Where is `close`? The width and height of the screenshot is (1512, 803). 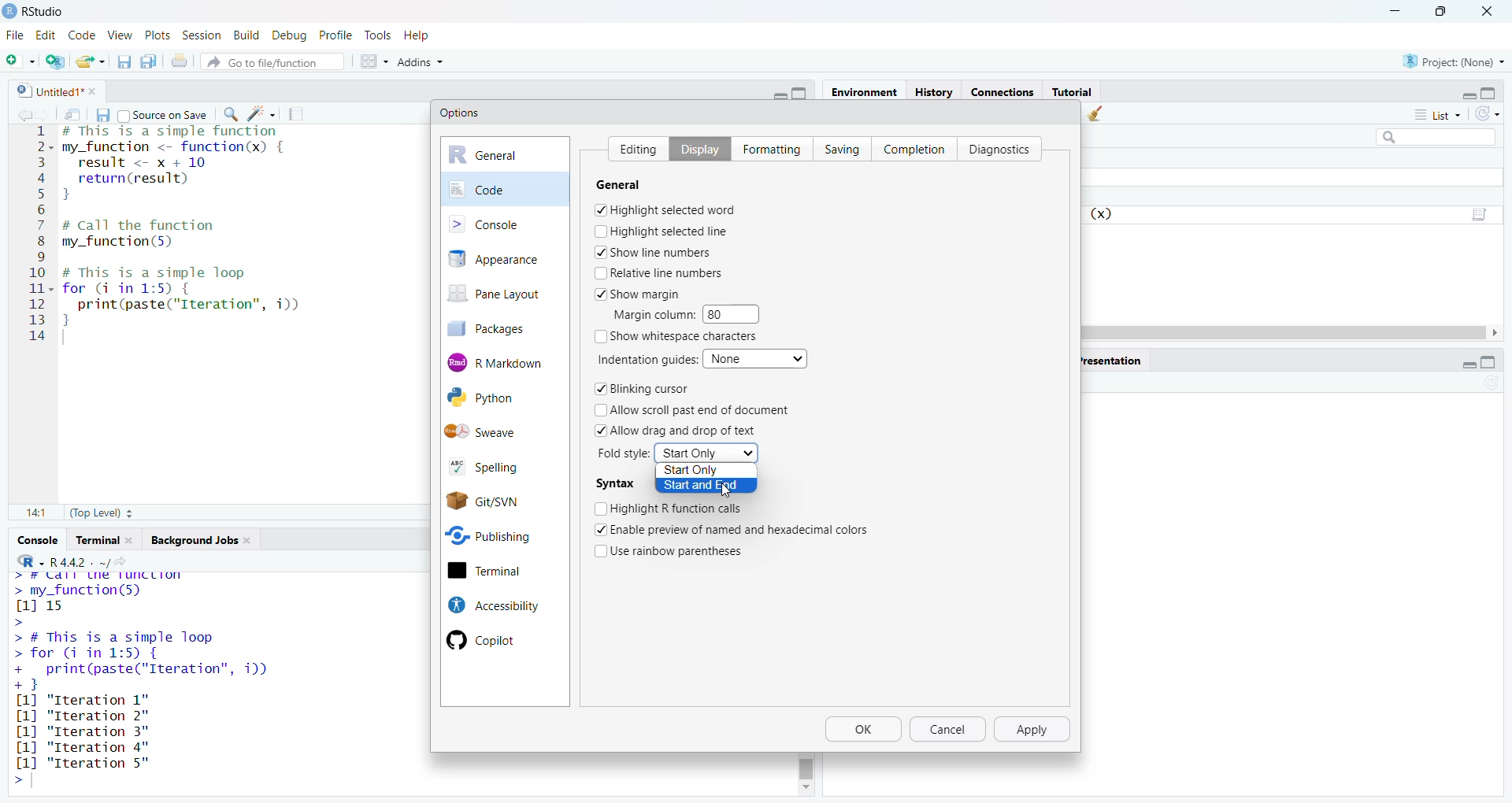 close is located at coordinates (1492, 9).